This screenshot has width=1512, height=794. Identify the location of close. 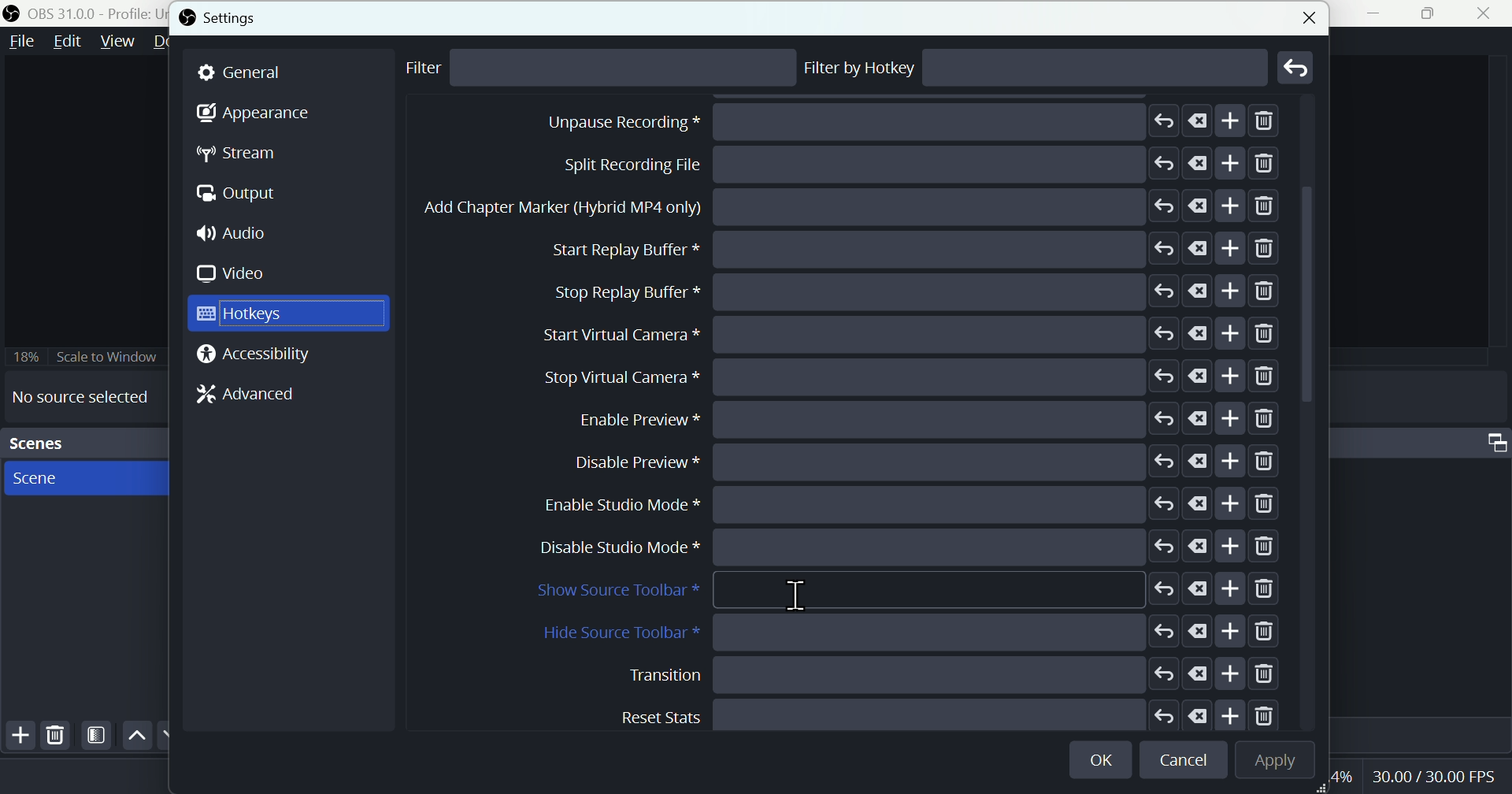
(1306, 15).